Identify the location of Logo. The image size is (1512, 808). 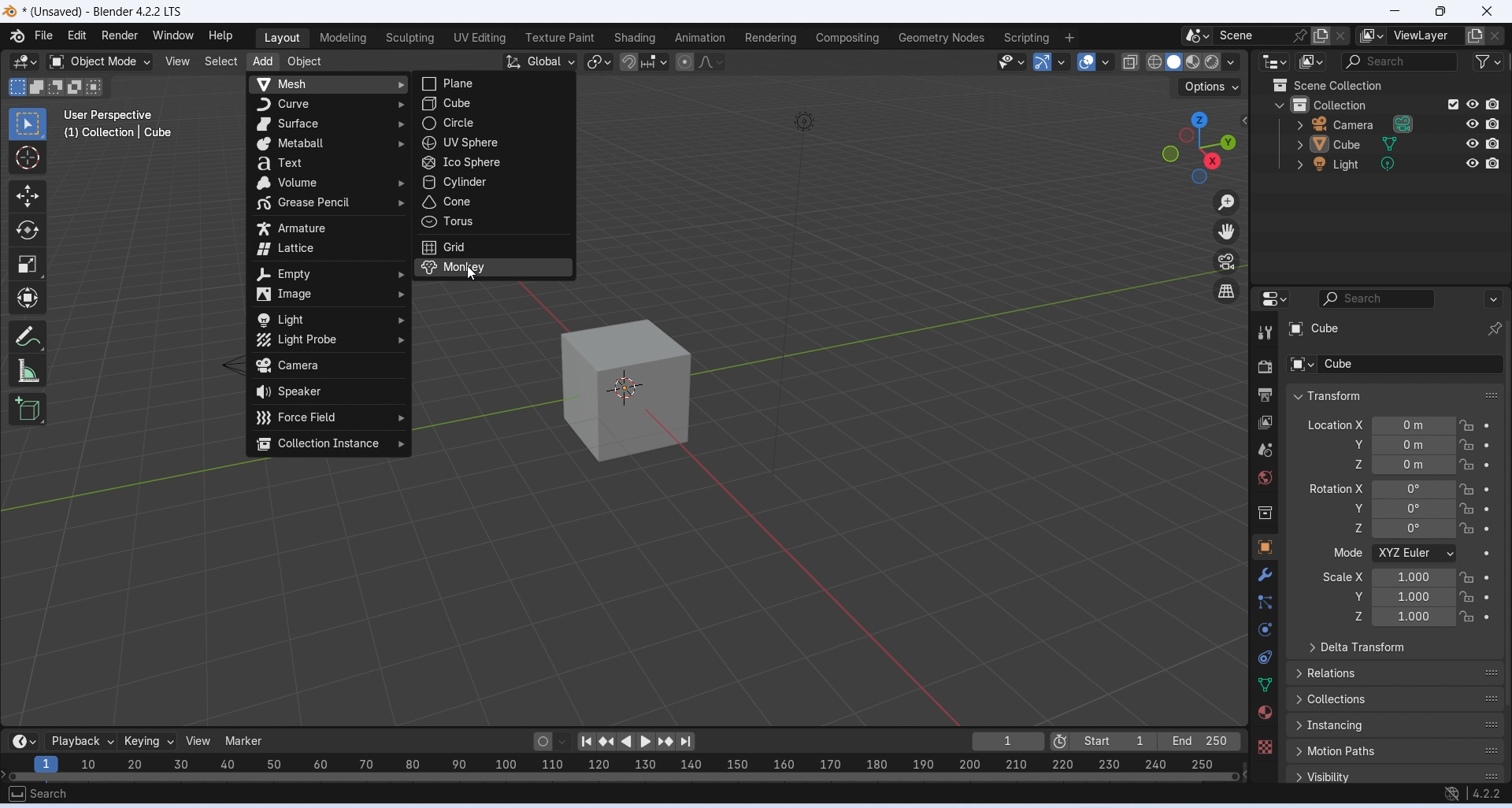
(10, 13).